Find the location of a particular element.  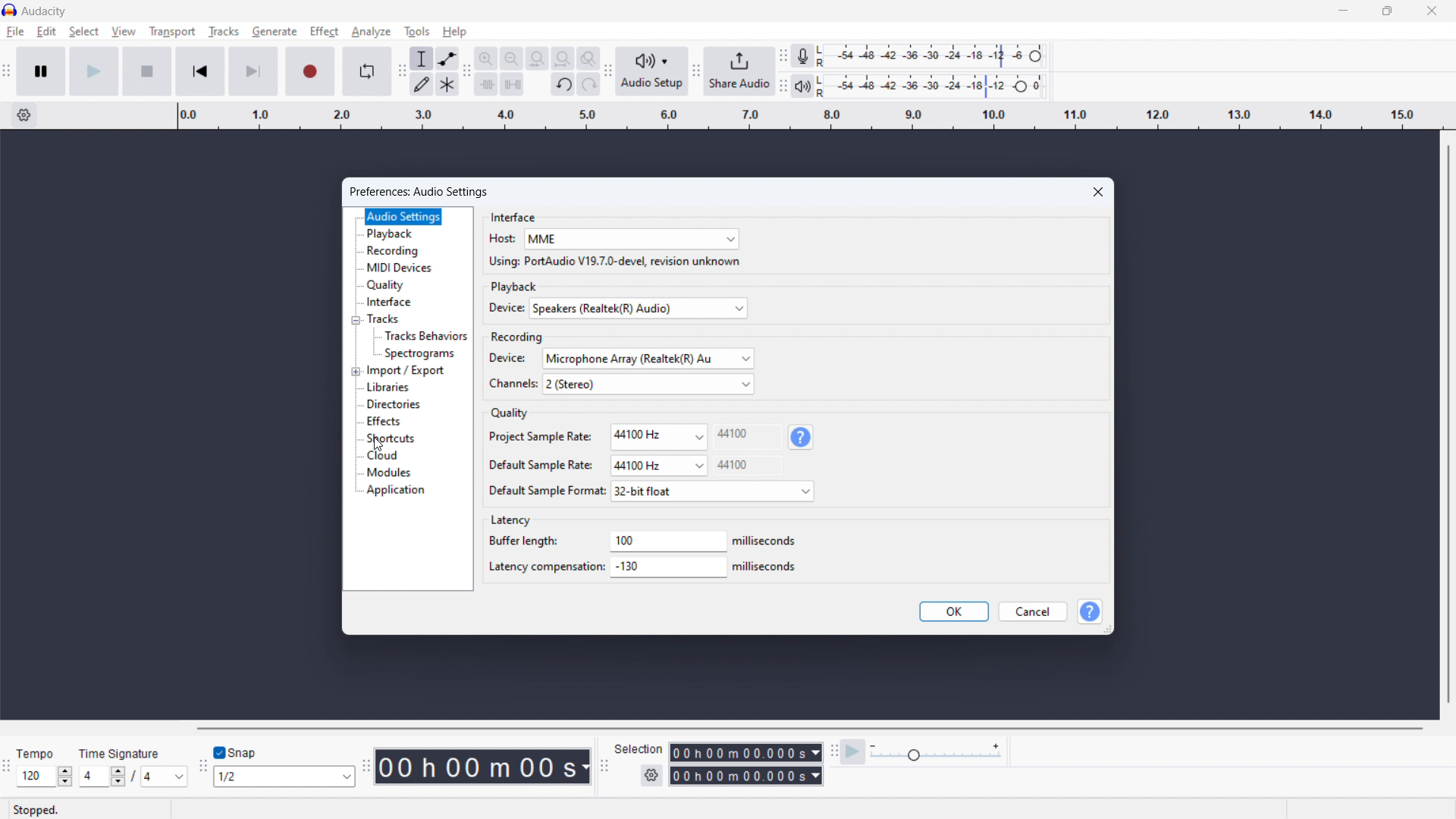

Stopped - indicates current status of playback is located at coordinates (87, 809).